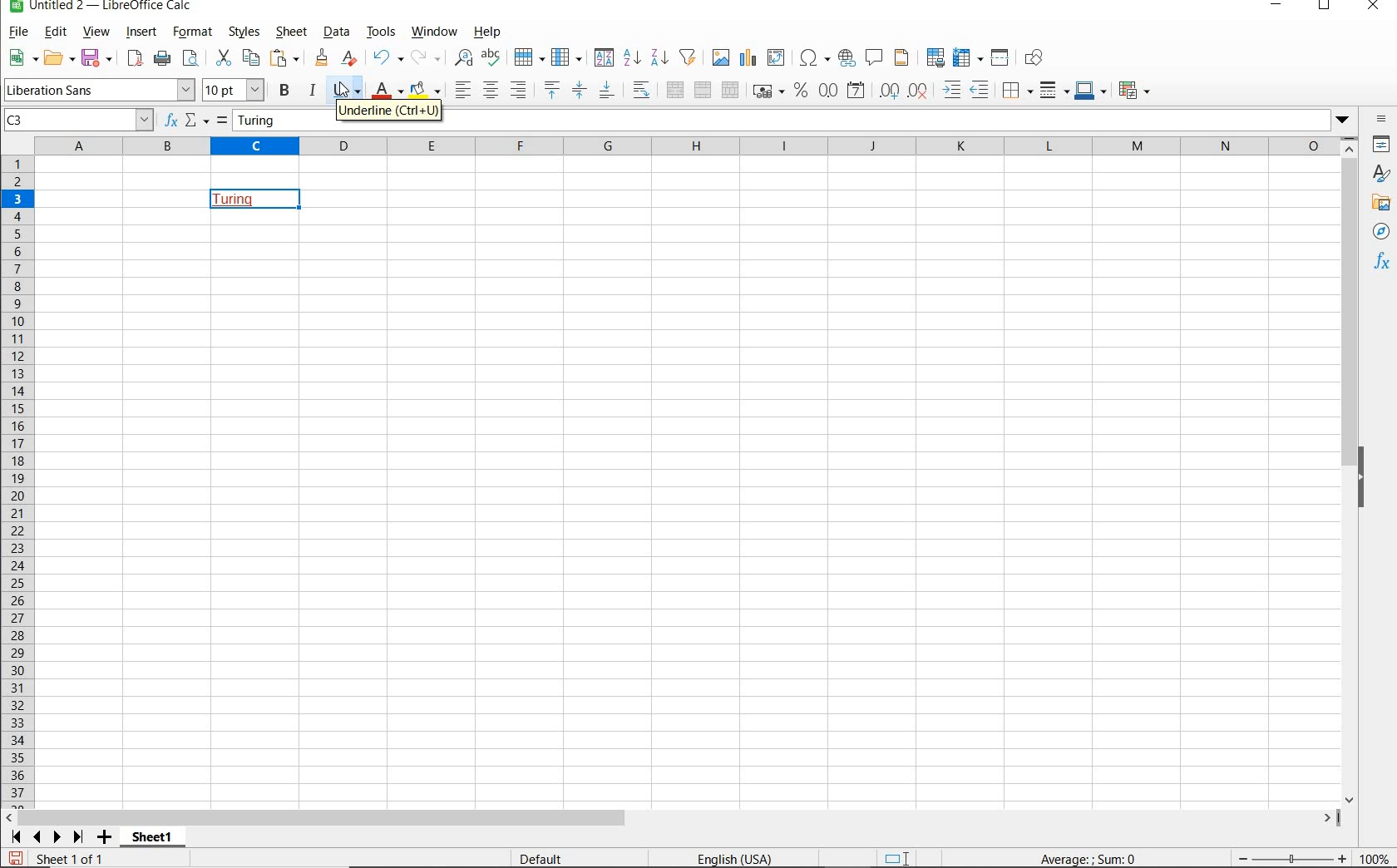 The image size is (1397, 868). Describe the element at coordinates (827, 91) in the screenshot. I see `FORMAT AS NUMBER` at that location.